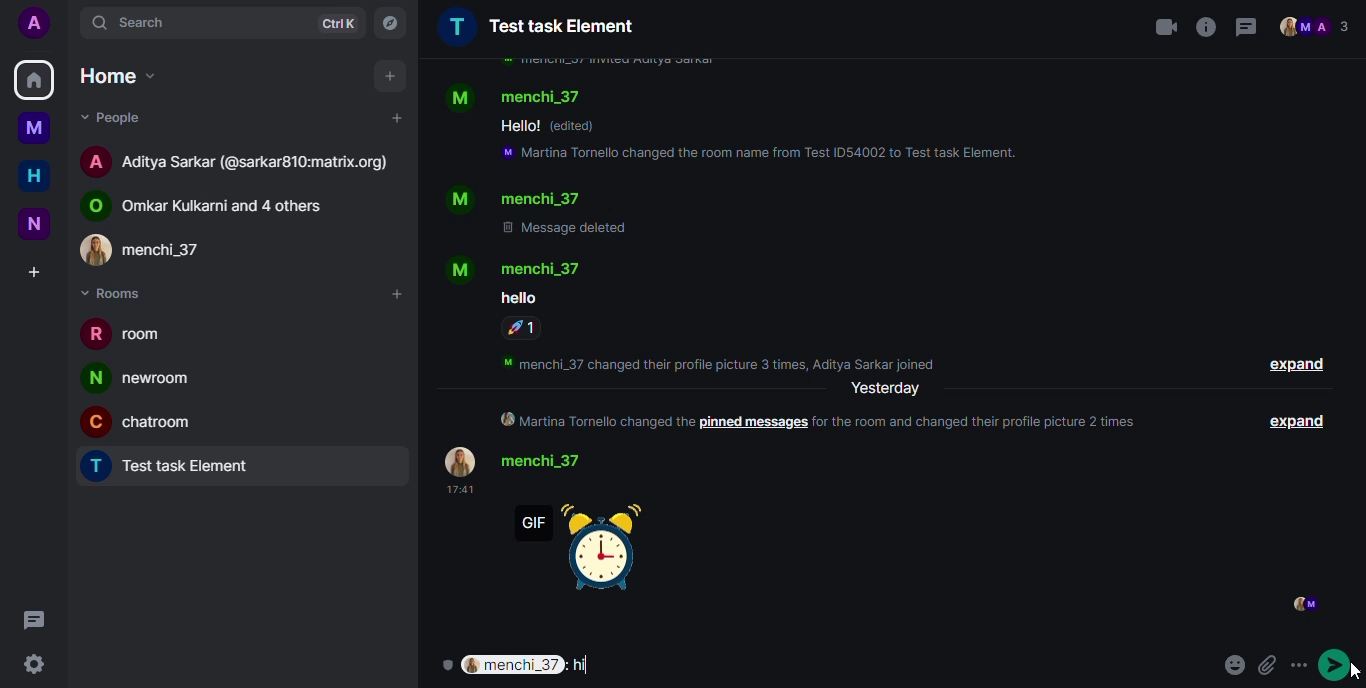 The image size is (1366, 688). What do you see at coordinates (34, 24) in the screenshot?
I see `profile` at bounding box center [34, 24].